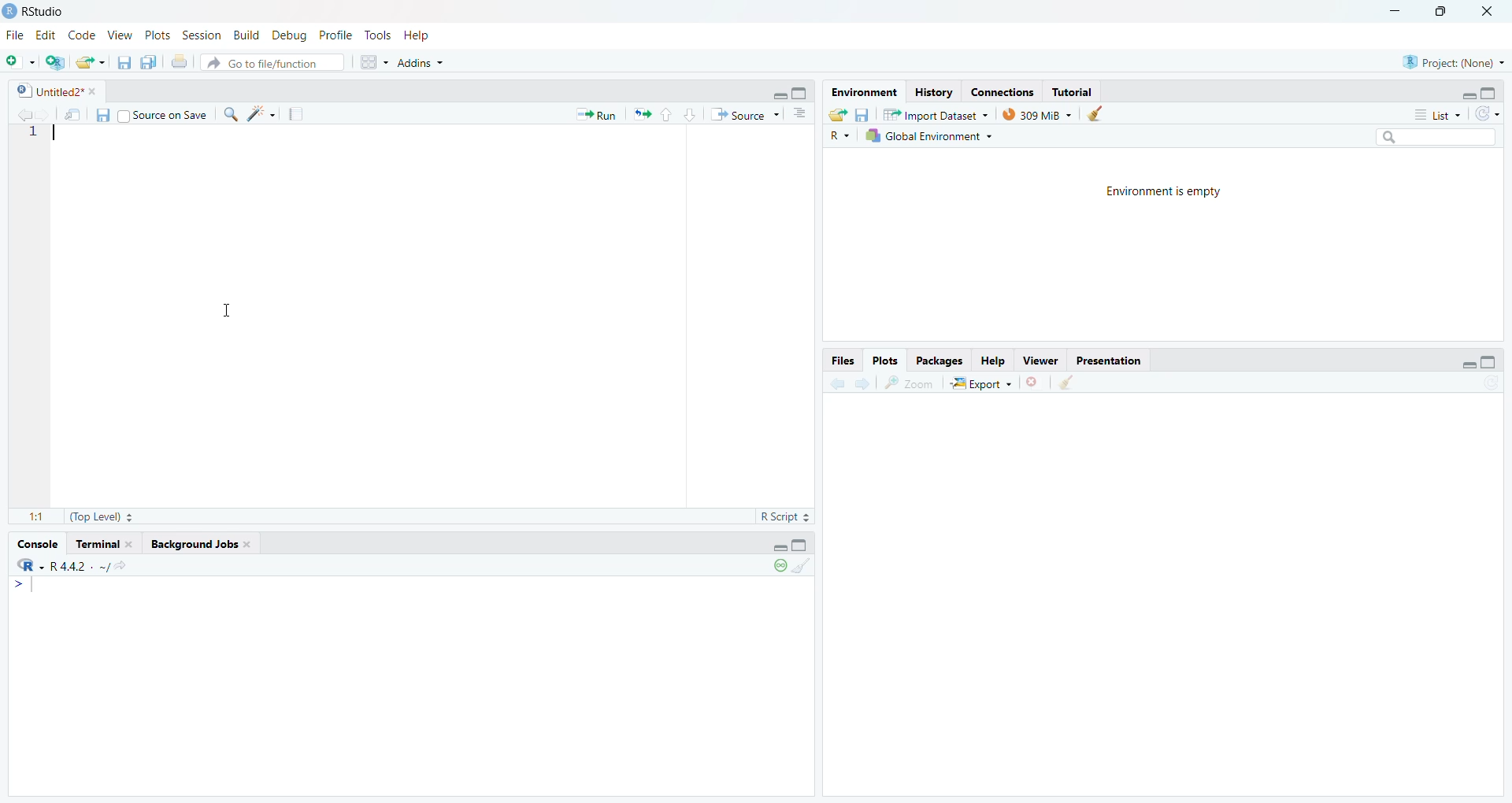 This screenshot has width=1512, height=803. What do you see at coordinates (73, 115) in the screenshot?
I see `move` at bounding box center [73, 115].